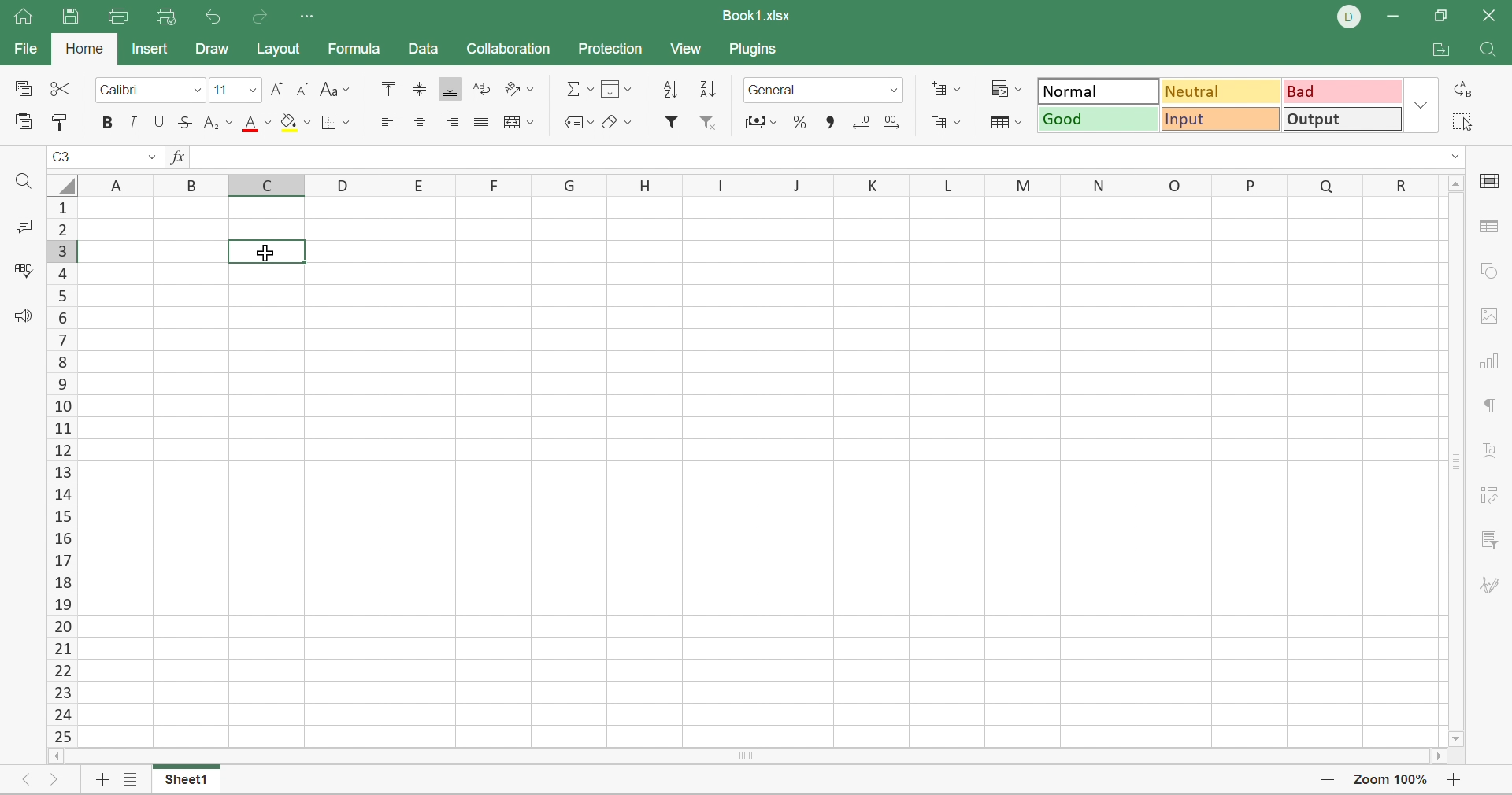 The height and width of the screenshot is (795, 1512). Describe the element at coordinates (61, 87) in the screenshot. I see `Cut` at that location.